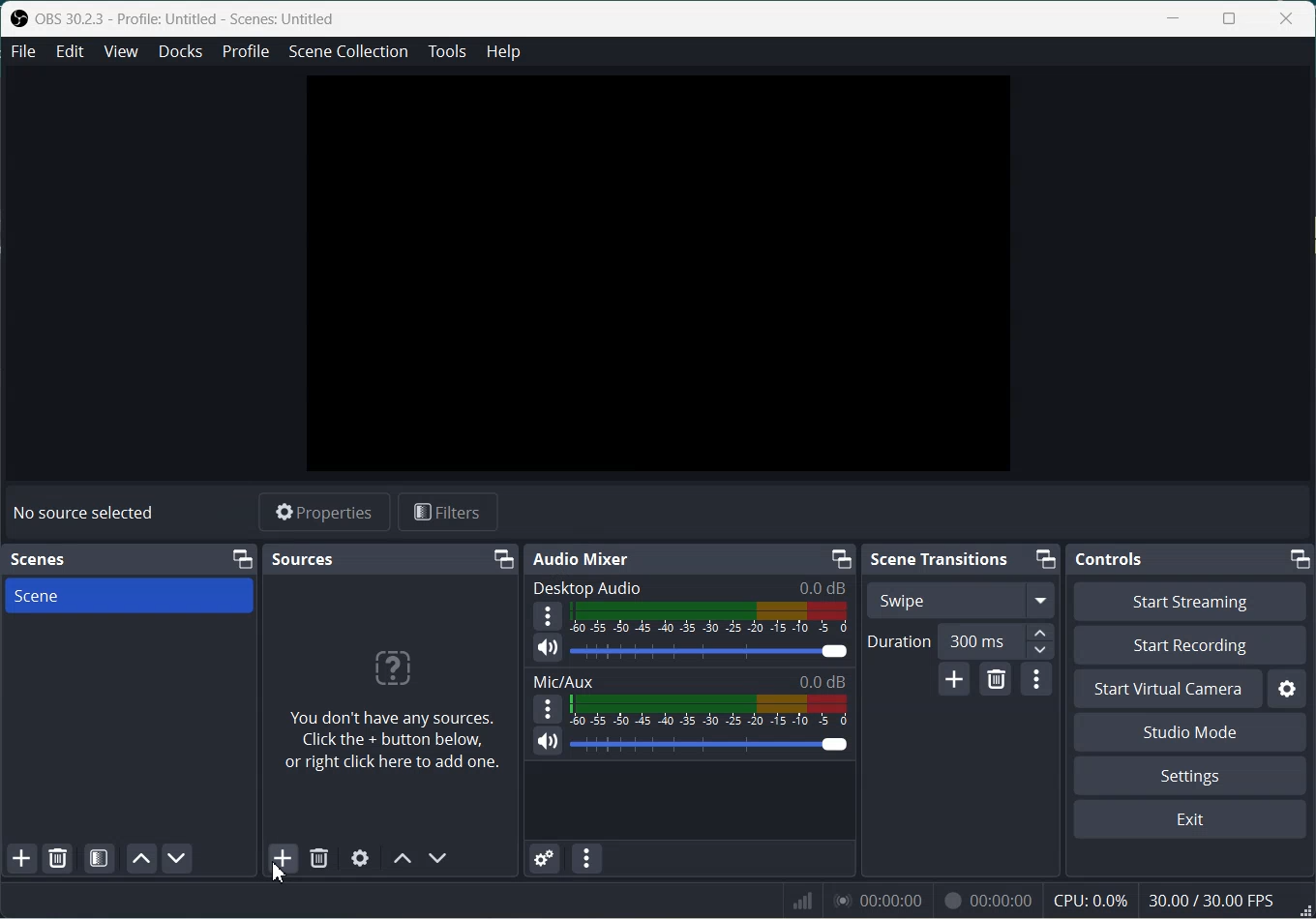  I want to click on Mute / Unmute, so click(549, 649).